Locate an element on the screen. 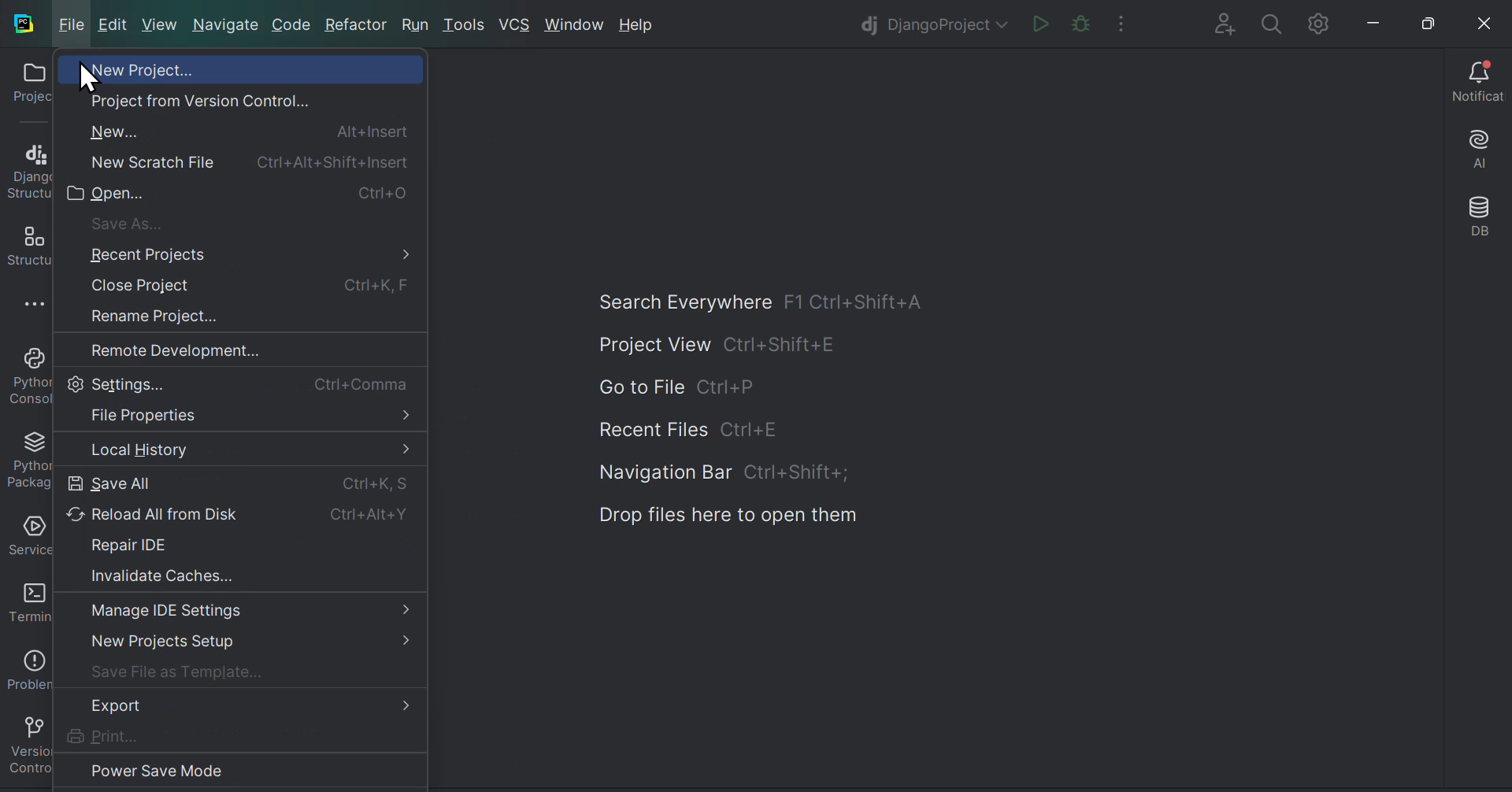  Run file is located at coordinates (1037, 22).